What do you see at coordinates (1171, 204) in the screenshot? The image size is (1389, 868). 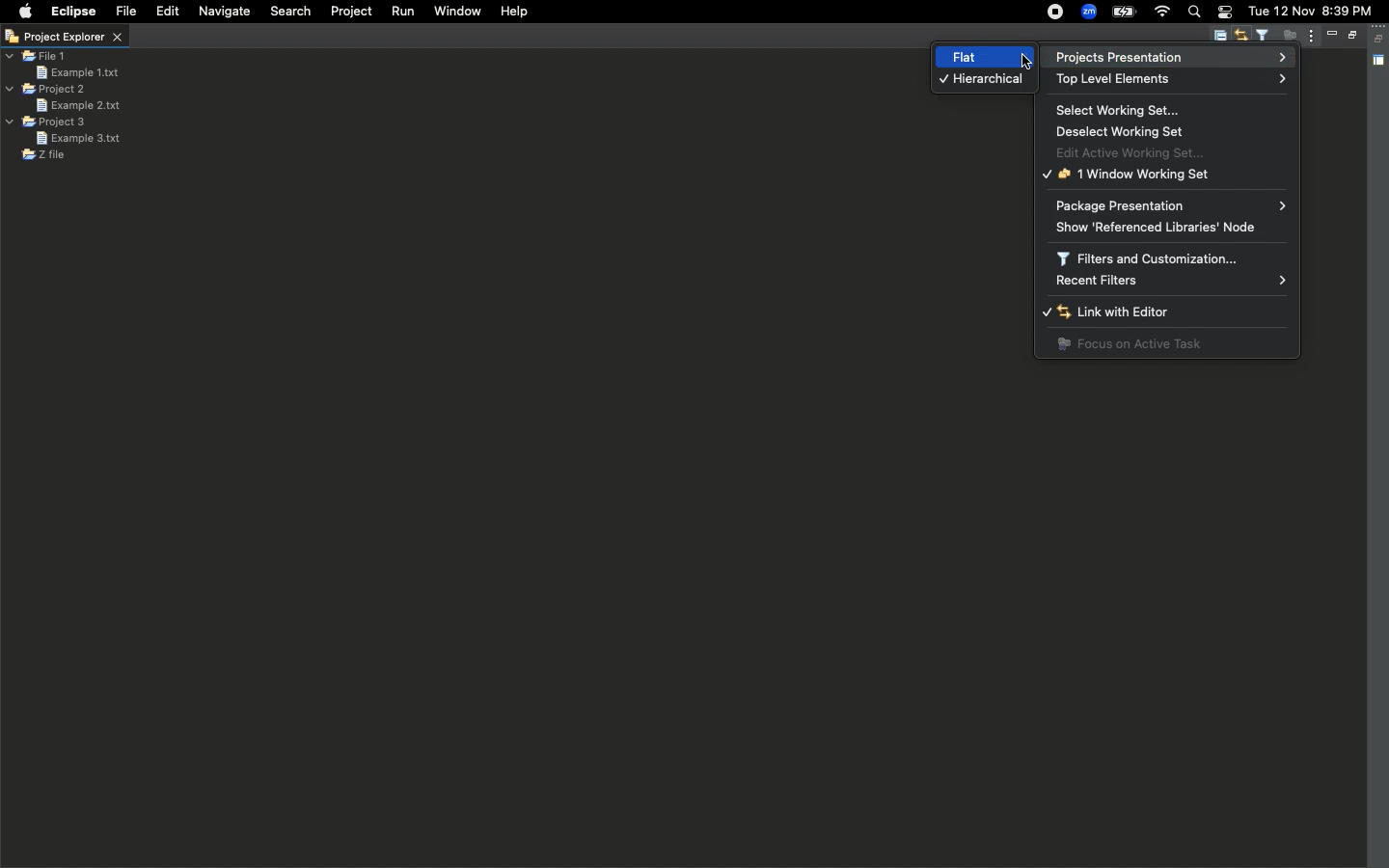 I see `Packaging presentation` at bounding box center [1171, 204].